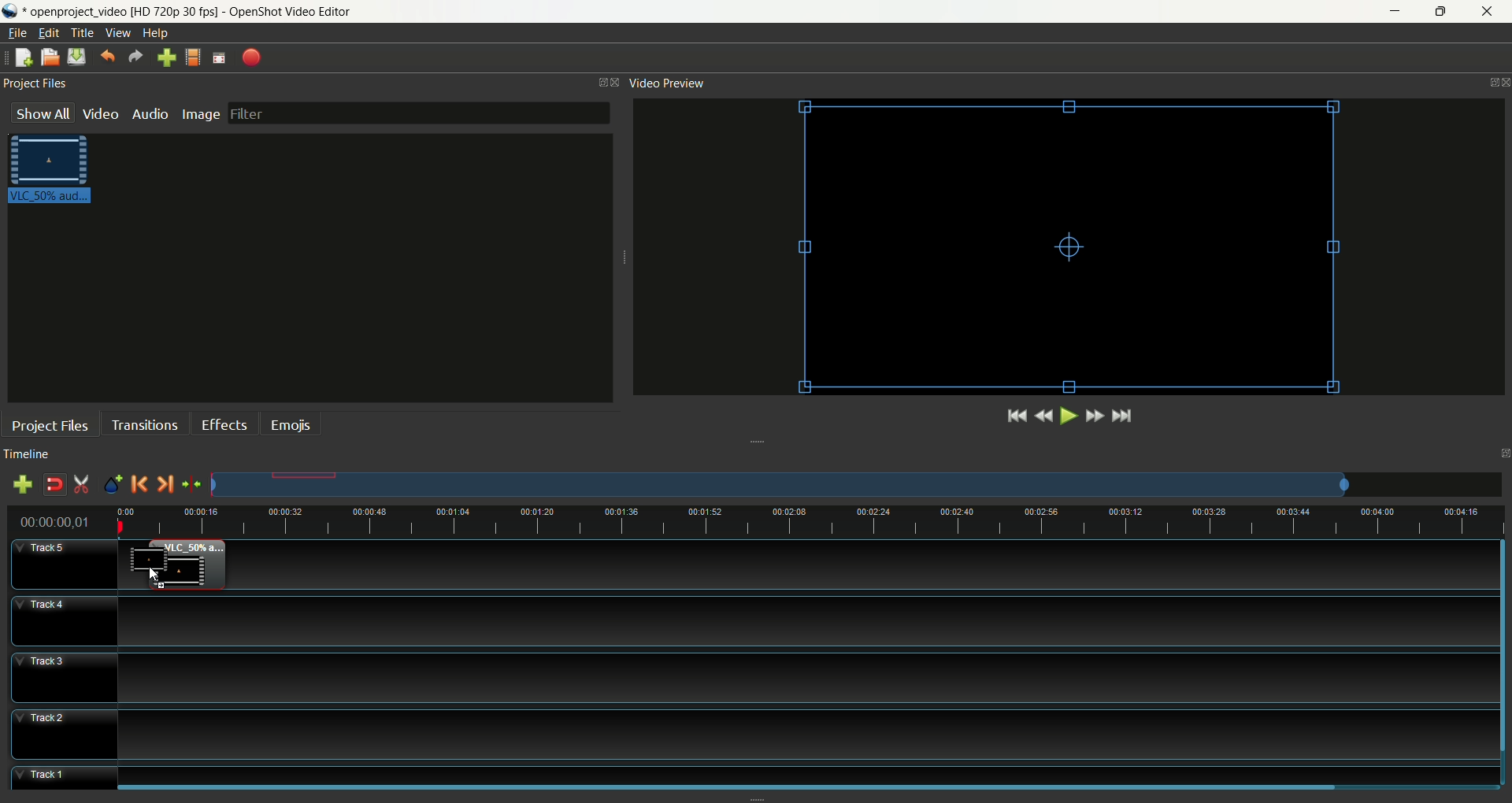 This screenshot has width=1512, height=803. Describe the element at coordinates (1069, 417) in the screenshot. I see `play` at that location.